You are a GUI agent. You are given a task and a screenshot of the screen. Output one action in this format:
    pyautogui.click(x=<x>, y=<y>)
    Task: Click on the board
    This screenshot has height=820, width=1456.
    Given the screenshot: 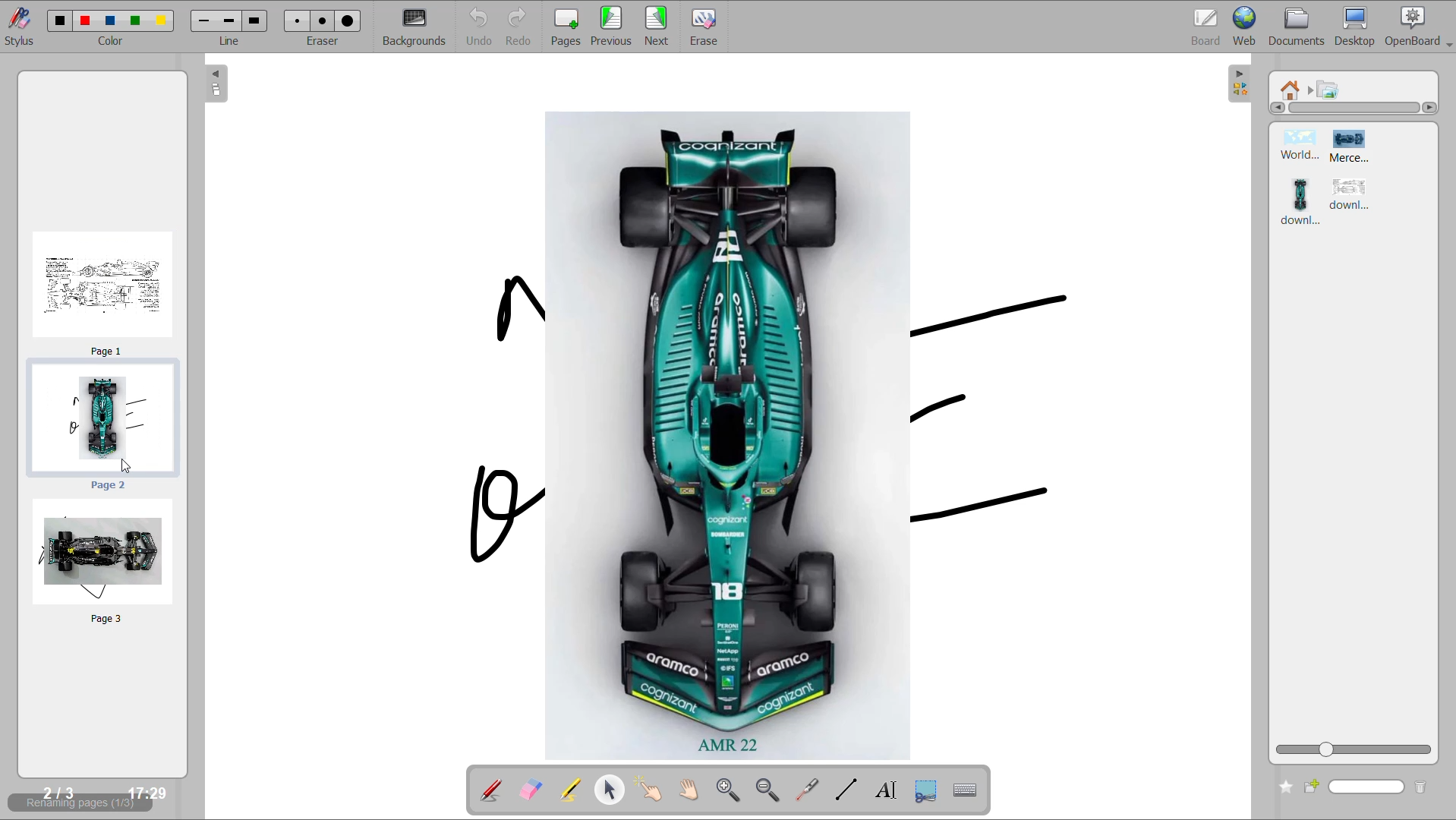 What is the action you would take?
    pyautogui.click(x=1207, y=24)
    